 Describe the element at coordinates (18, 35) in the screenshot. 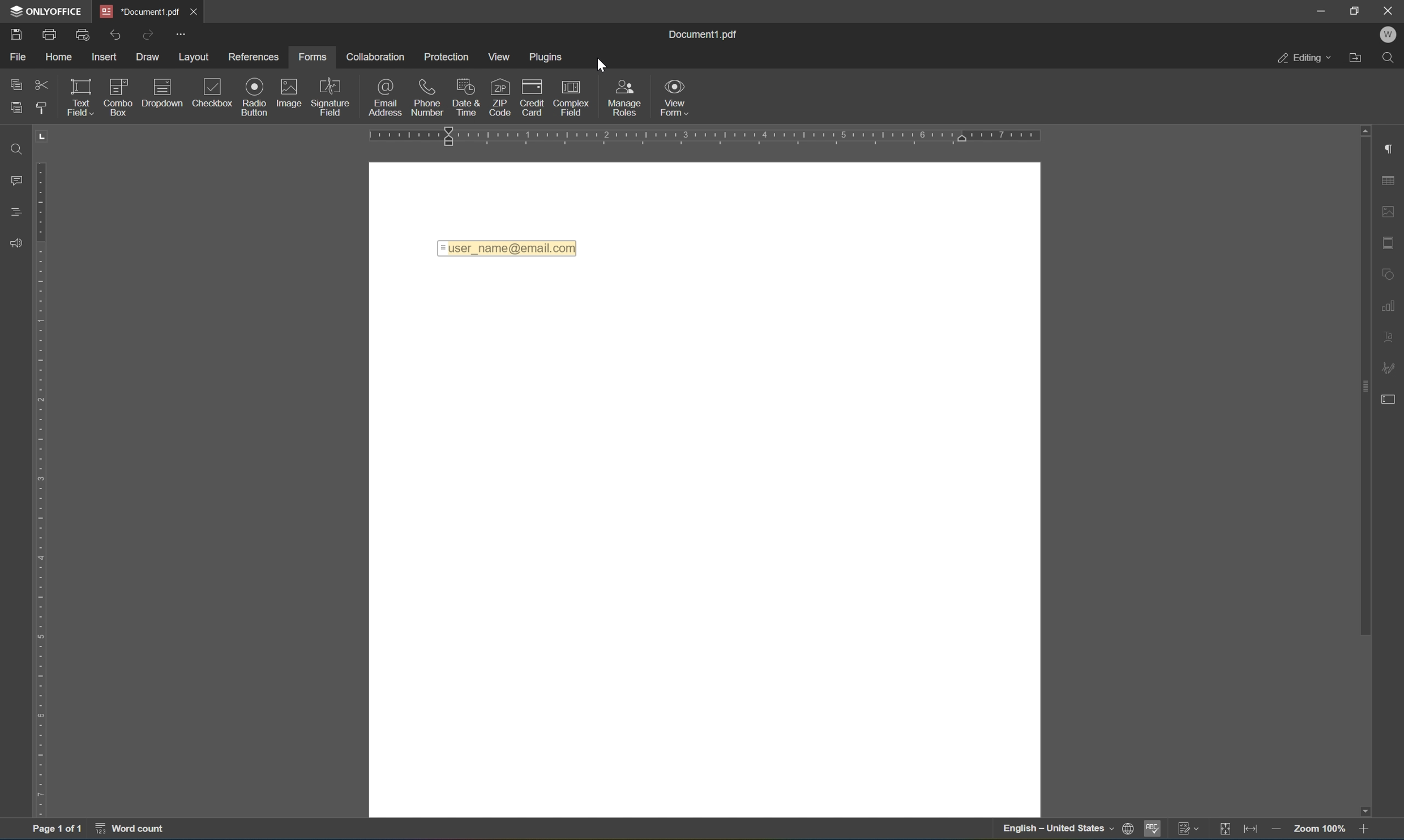

I see `save` at that location.